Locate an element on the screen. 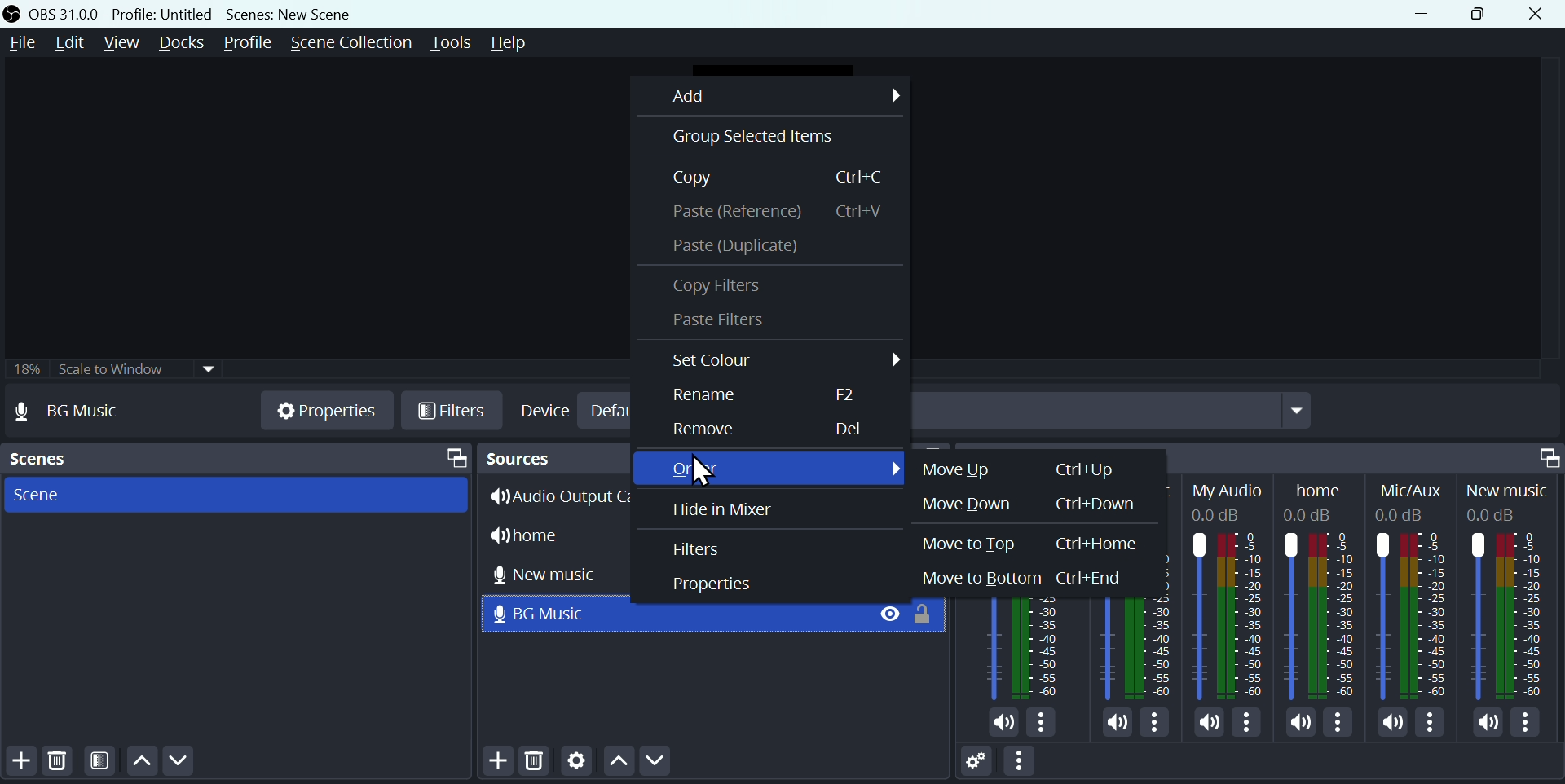  Default is located at coordinates (614, 411).